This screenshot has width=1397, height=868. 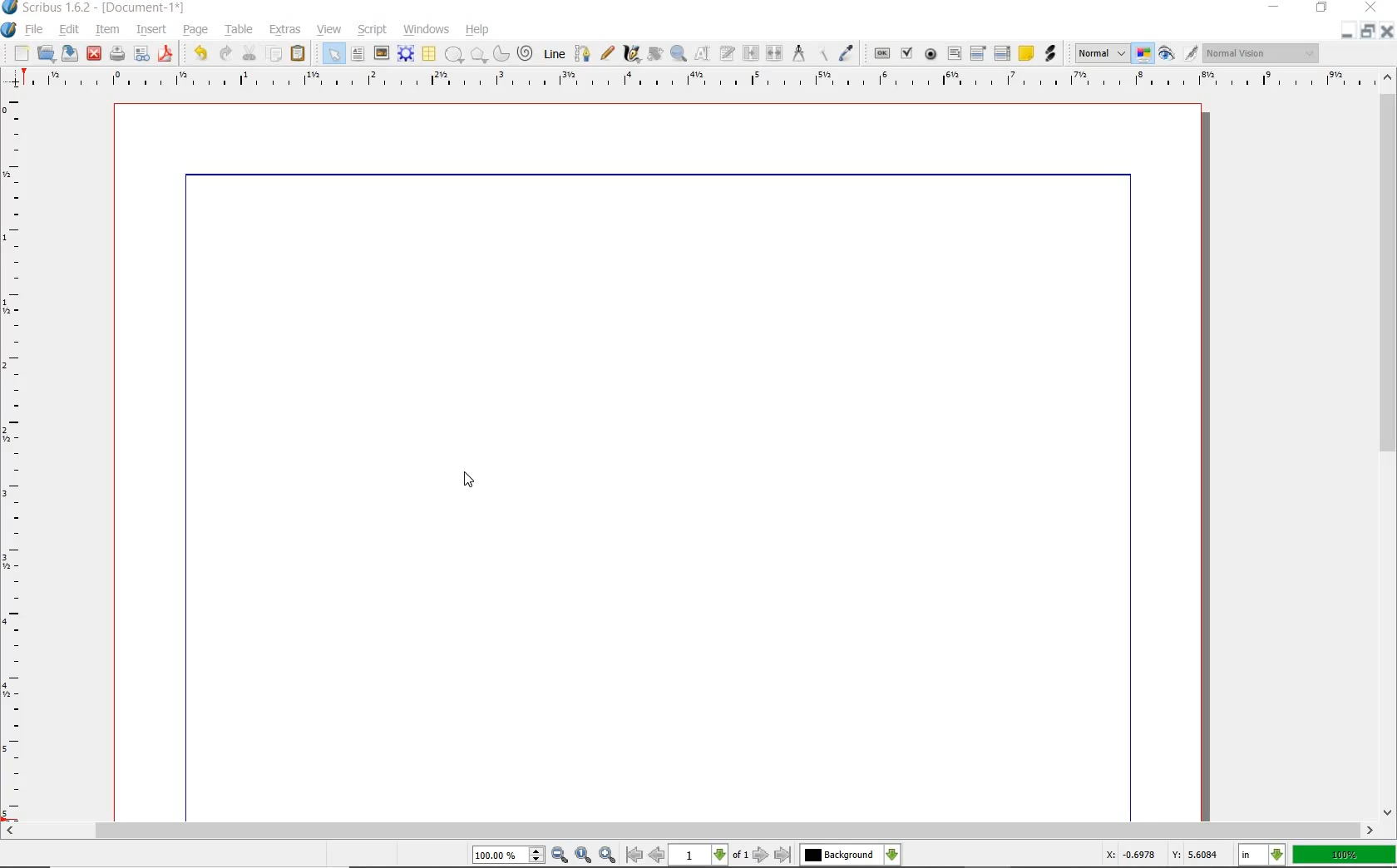 I want to click on visual appearance of the display, so click(x=1261, y=54).